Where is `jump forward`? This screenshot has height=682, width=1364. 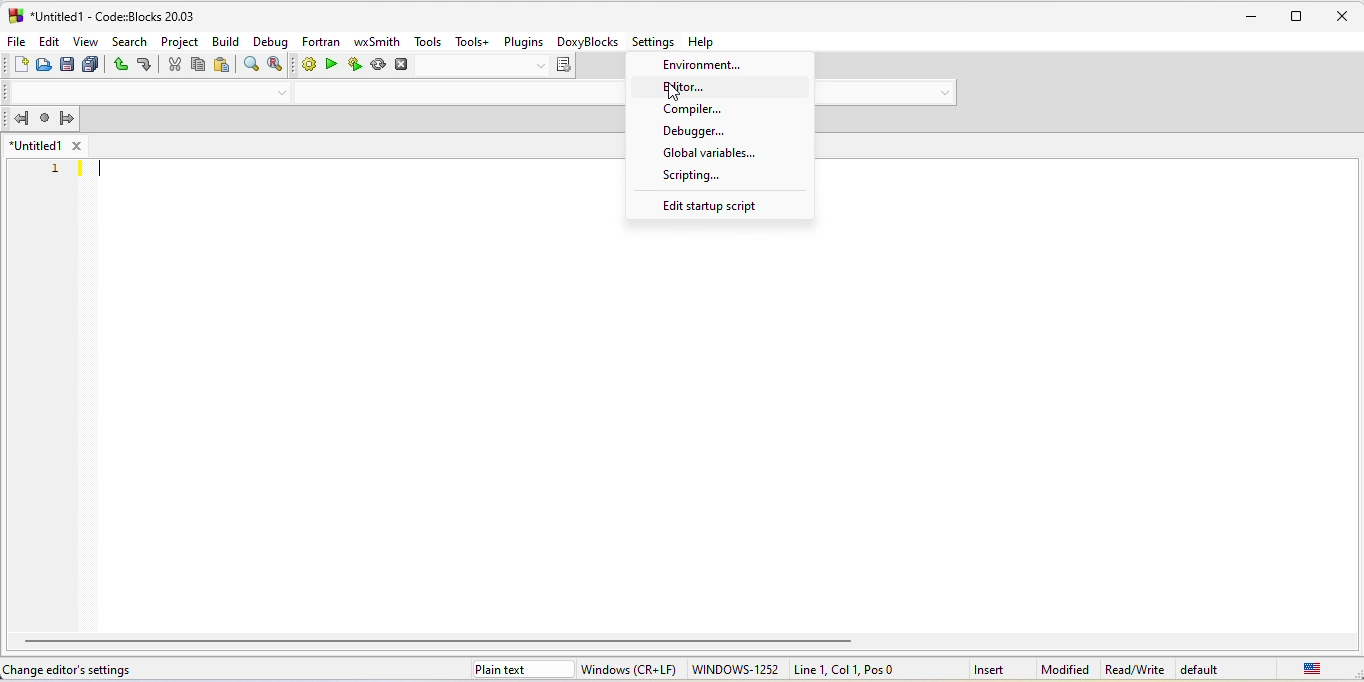 jump forward is located at coordinates (67, 117).